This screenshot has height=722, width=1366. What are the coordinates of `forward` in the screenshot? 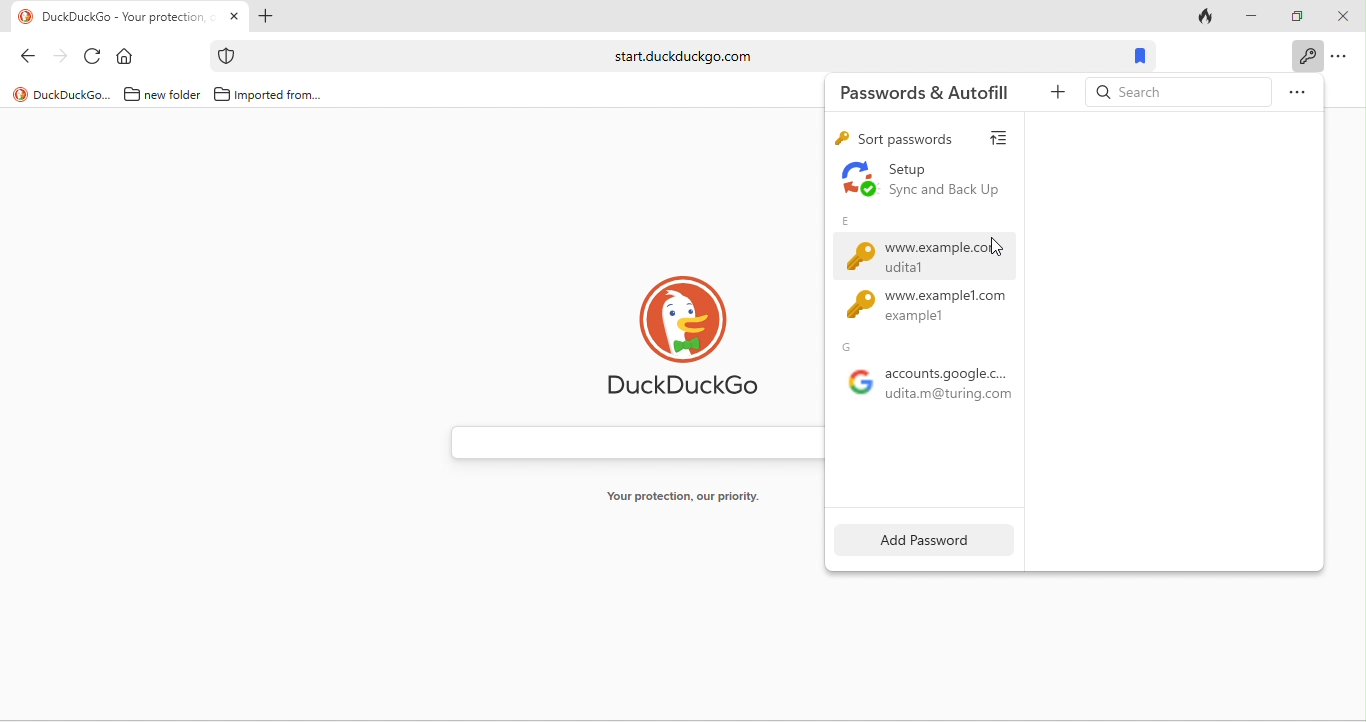 It's located at (62, 60).